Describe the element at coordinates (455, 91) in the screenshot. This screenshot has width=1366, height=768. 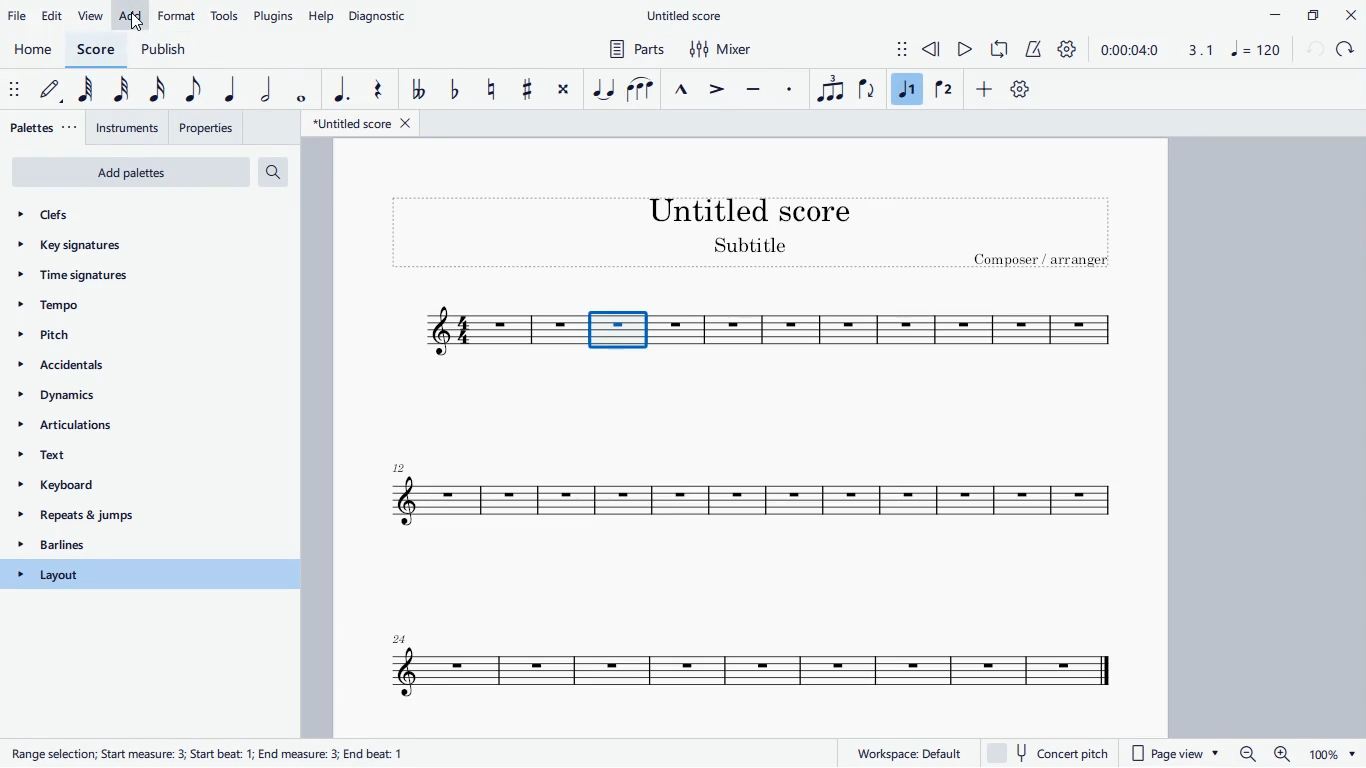
I see `toggle flat` at that location.